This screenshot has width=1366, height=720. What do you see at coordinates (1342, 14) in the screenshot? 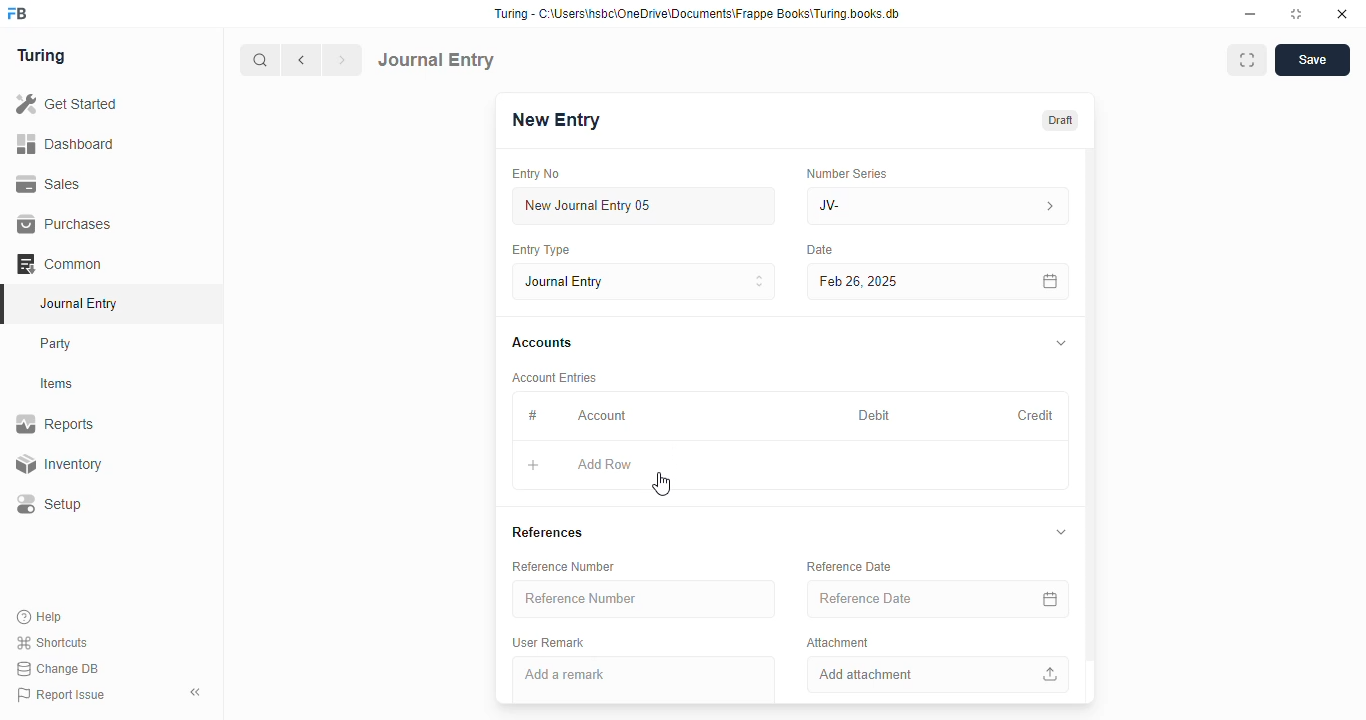
I see `close` at bounding box center [1342, 14].